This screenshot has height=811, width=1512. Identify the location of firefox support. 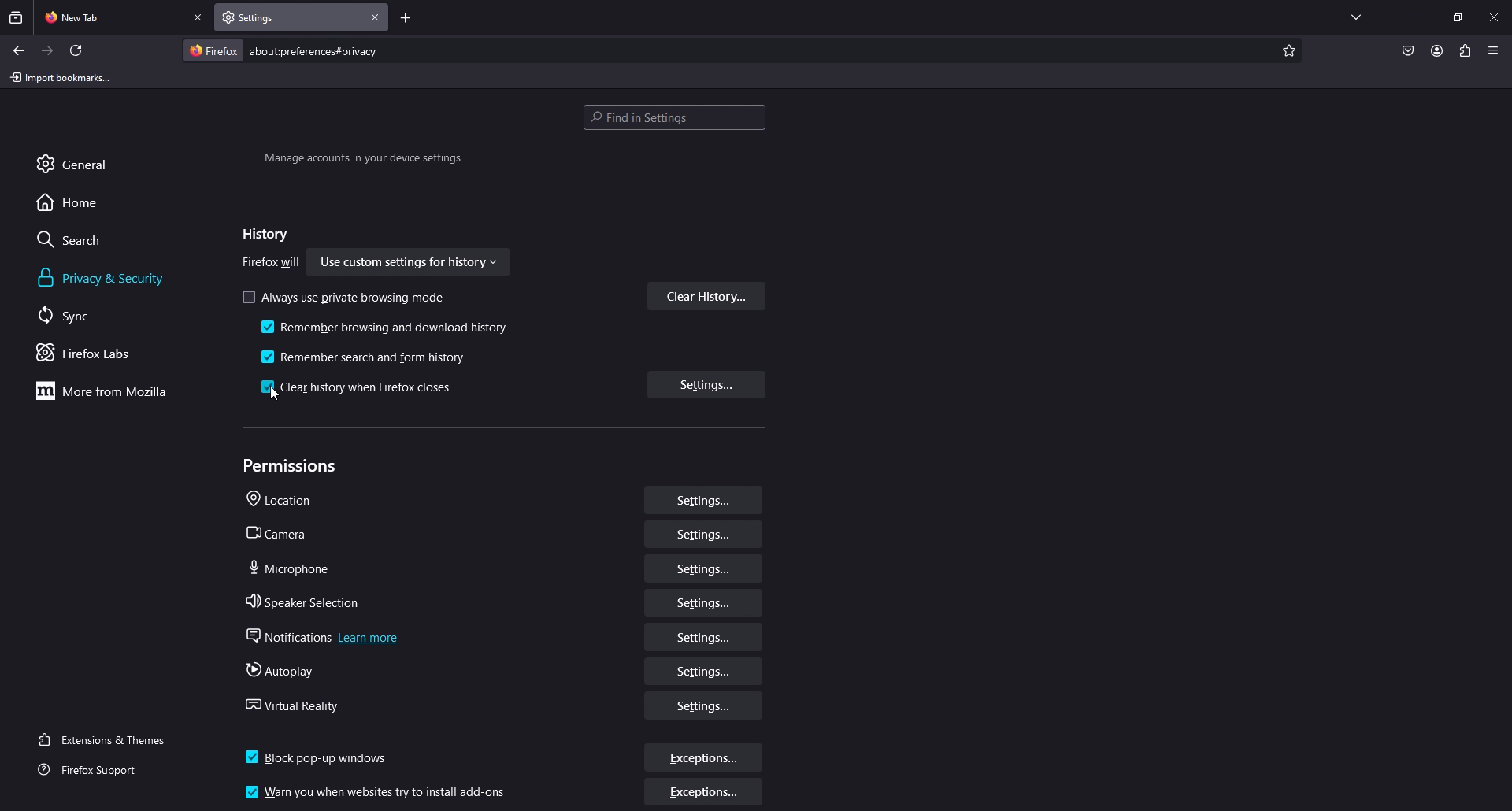
(102, 771).